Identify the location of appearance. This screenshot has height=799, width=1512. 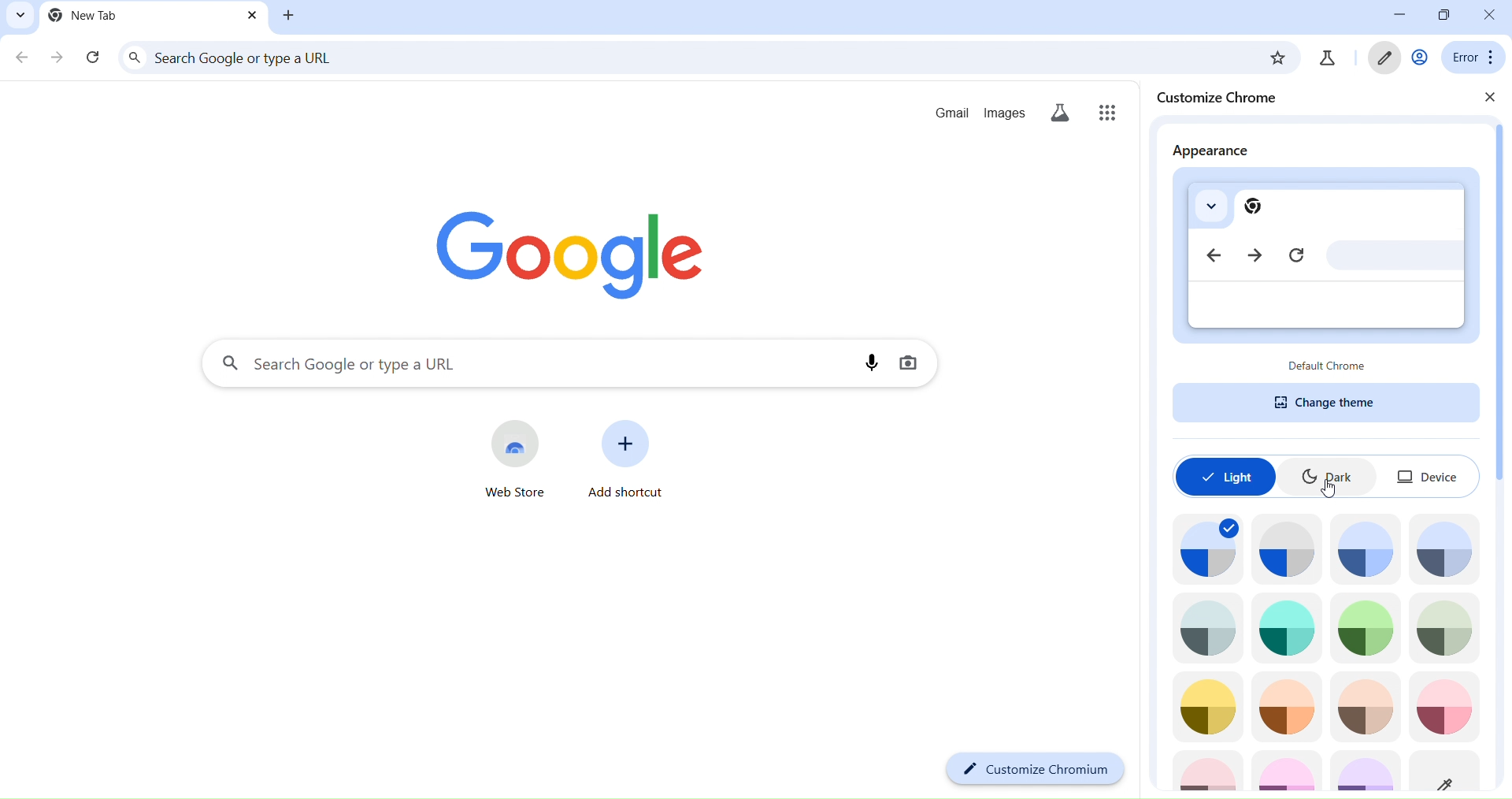
(1213, 150).